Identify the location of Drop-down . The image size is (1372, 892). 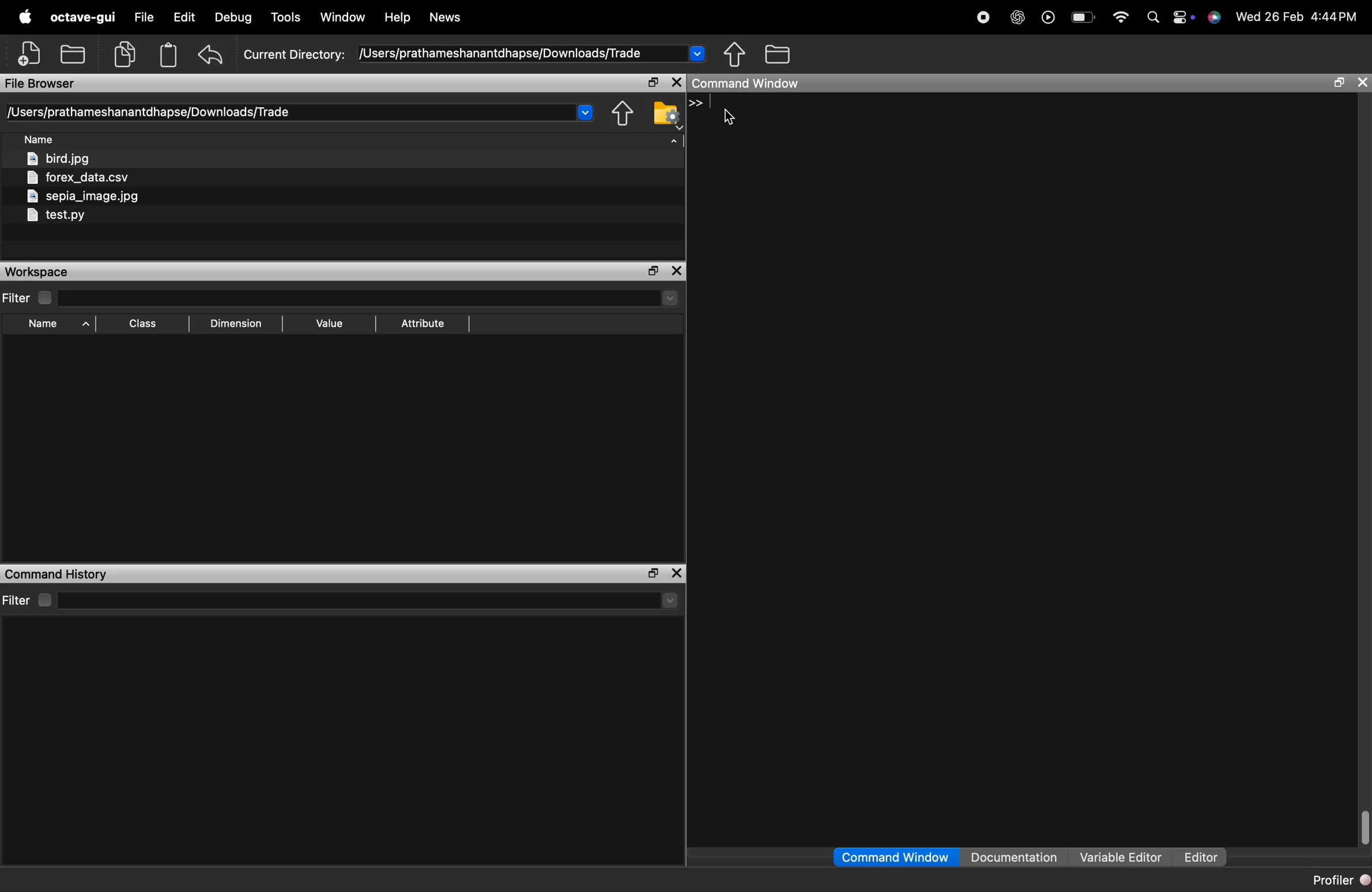
(586, 111).